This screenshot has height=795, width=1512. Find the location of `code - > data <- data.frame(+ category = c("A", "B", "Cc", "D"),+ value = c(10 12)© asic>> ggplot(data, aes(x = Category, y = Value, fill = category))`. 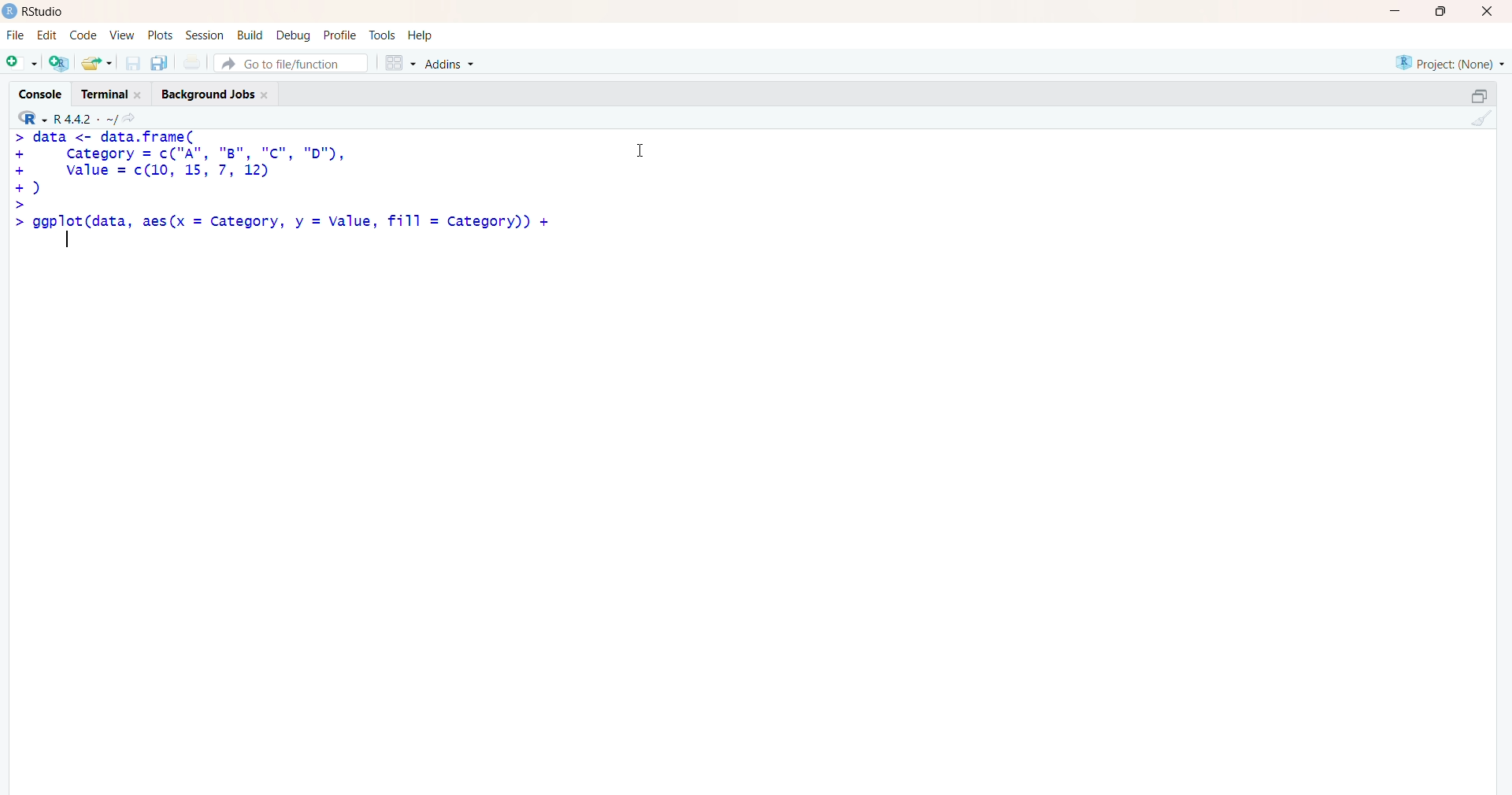

code - > data <- data.frame(+ category = c("A", "B", "Cc", "D"),+ value = c(10 12)© asic>> ggplot(data, aes(x = Category, y = Value, fill = category)) is located at coordinates (284, 188).